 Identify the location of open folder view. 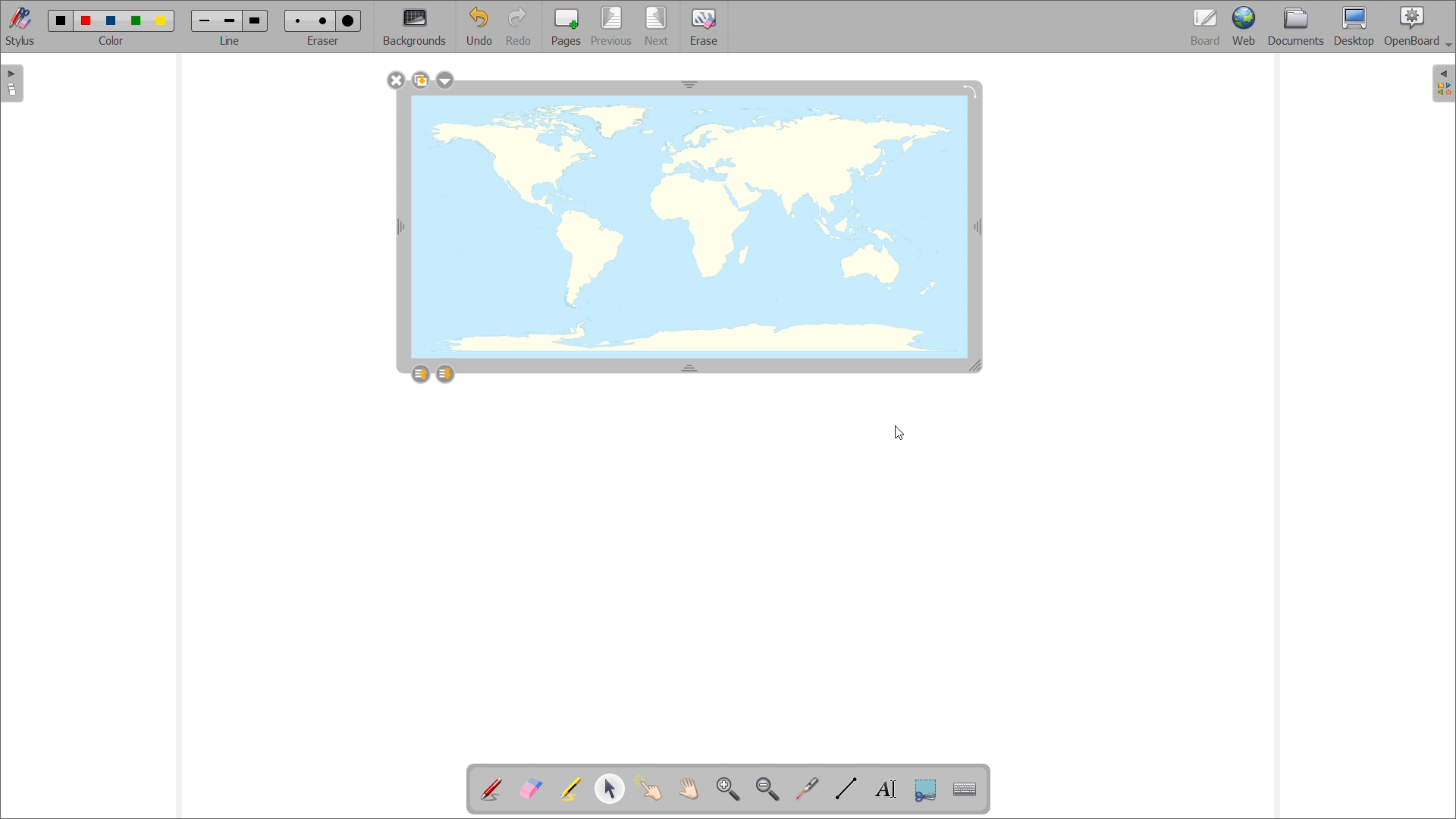
(1444, 83).